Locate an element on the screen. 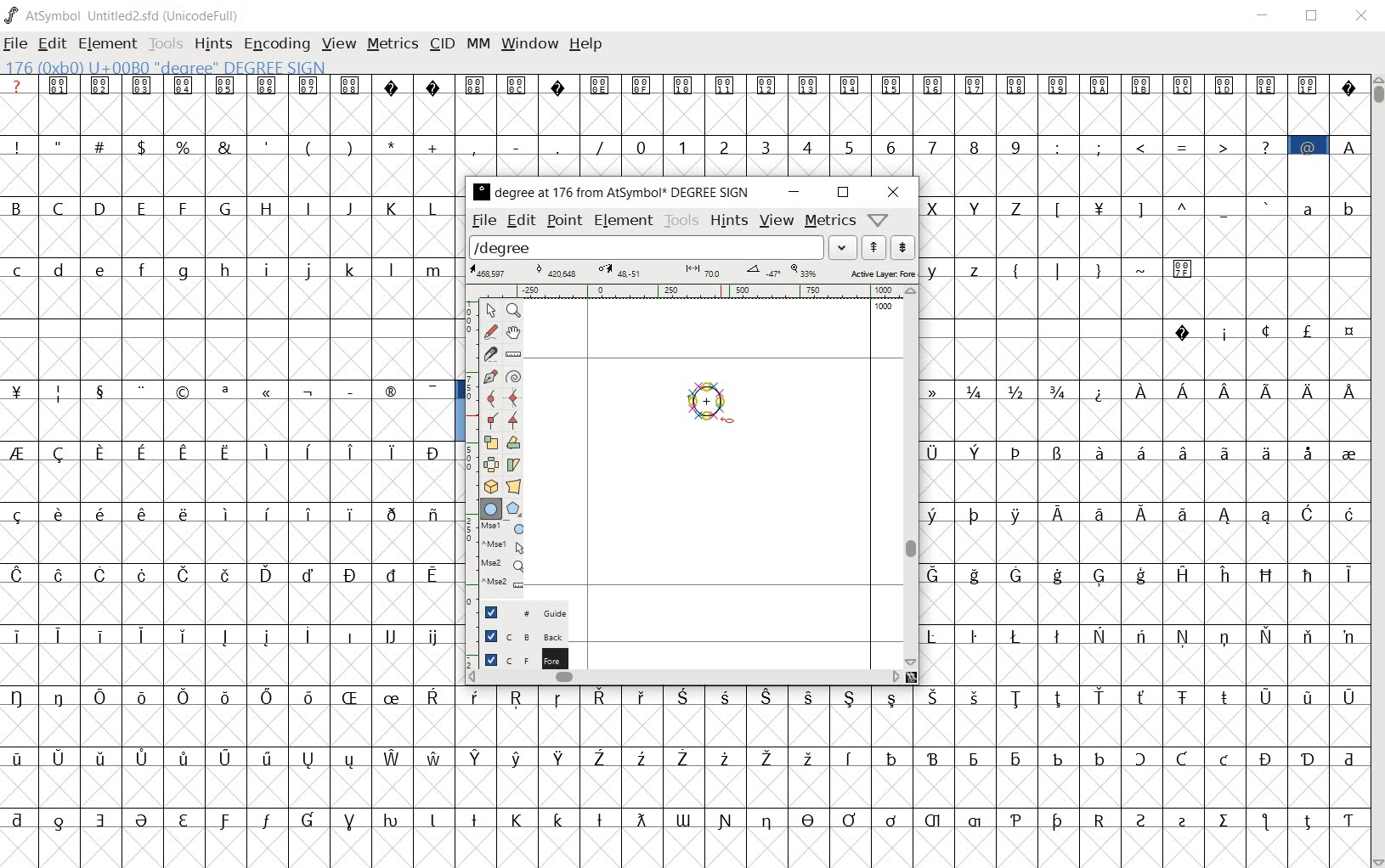 This screenshot has width=1385, height=868. empty glyph slots is located at coordinates (1139, 421).